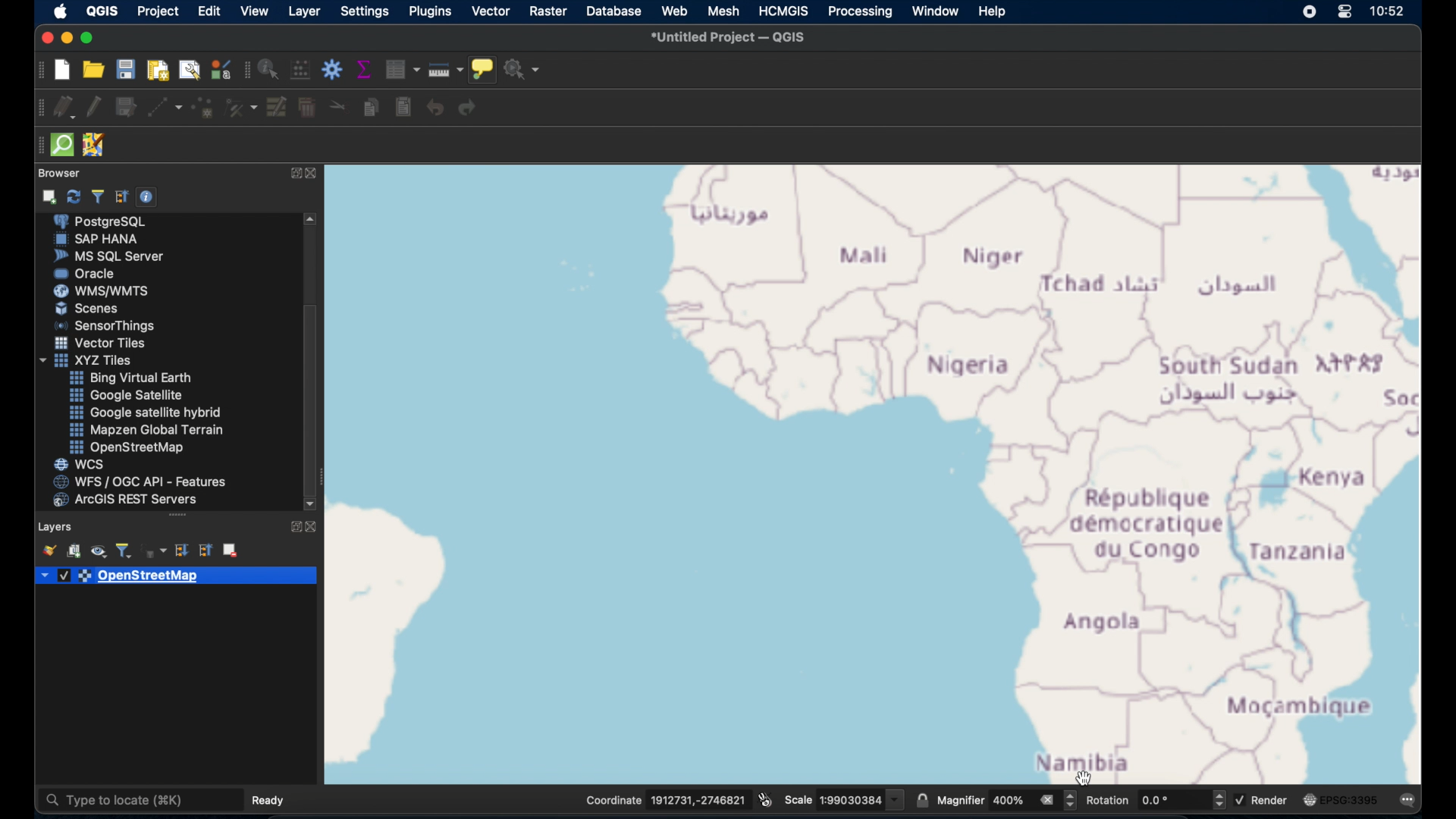 The width and height of the screenshot is (1456, 819). Describe the element at coordinates (524, 68) in the screenshot. I see `no action selected` at that location.